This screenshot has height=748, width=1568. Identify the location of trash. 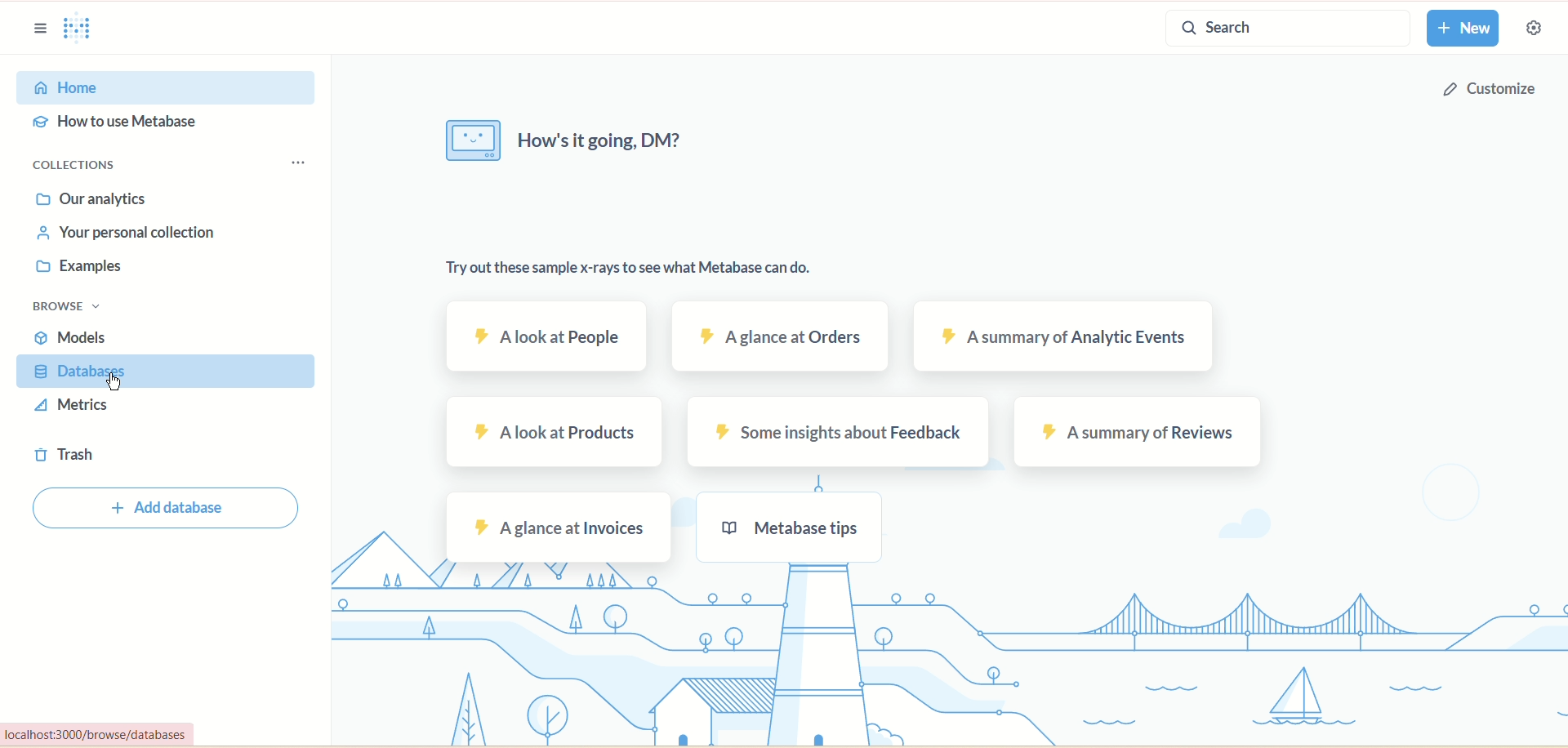
(65, 454).